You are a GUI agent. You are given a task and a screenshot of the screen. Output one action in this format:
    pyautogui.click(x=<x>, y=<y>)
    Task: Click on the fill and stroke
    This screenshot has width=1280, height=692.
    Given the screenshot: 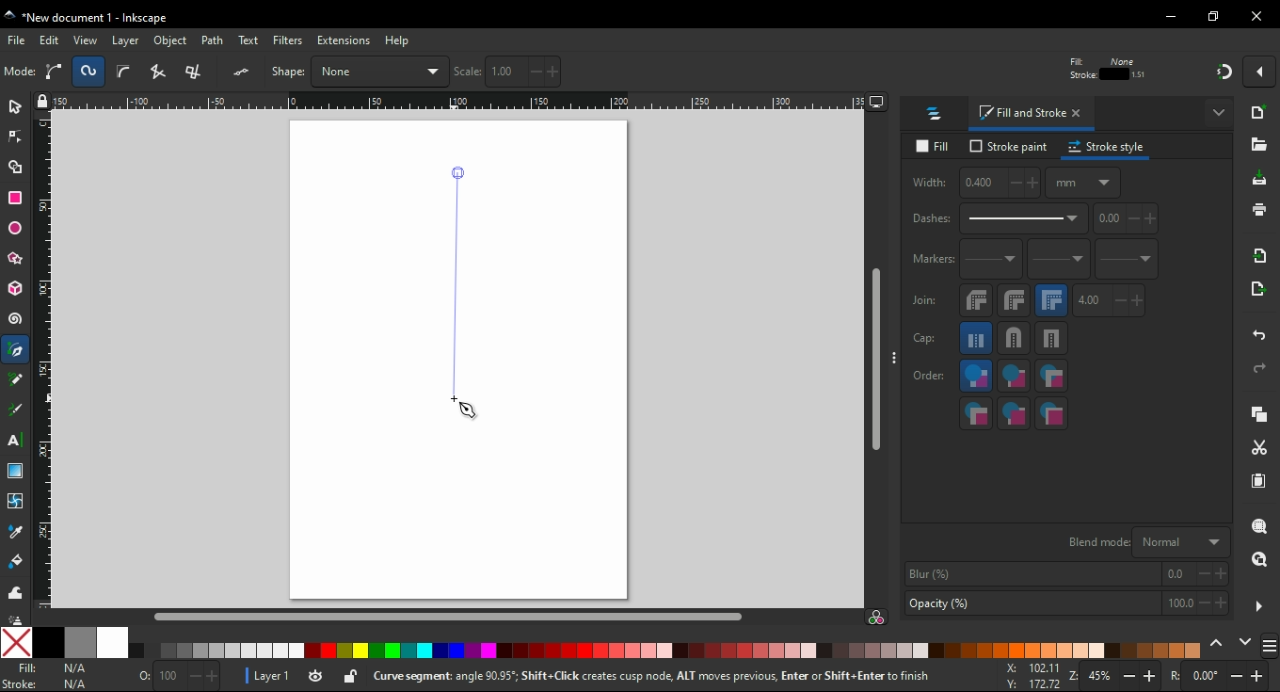 What is the action you would take?
    pyautogui.click(x=1032, y=114)
    